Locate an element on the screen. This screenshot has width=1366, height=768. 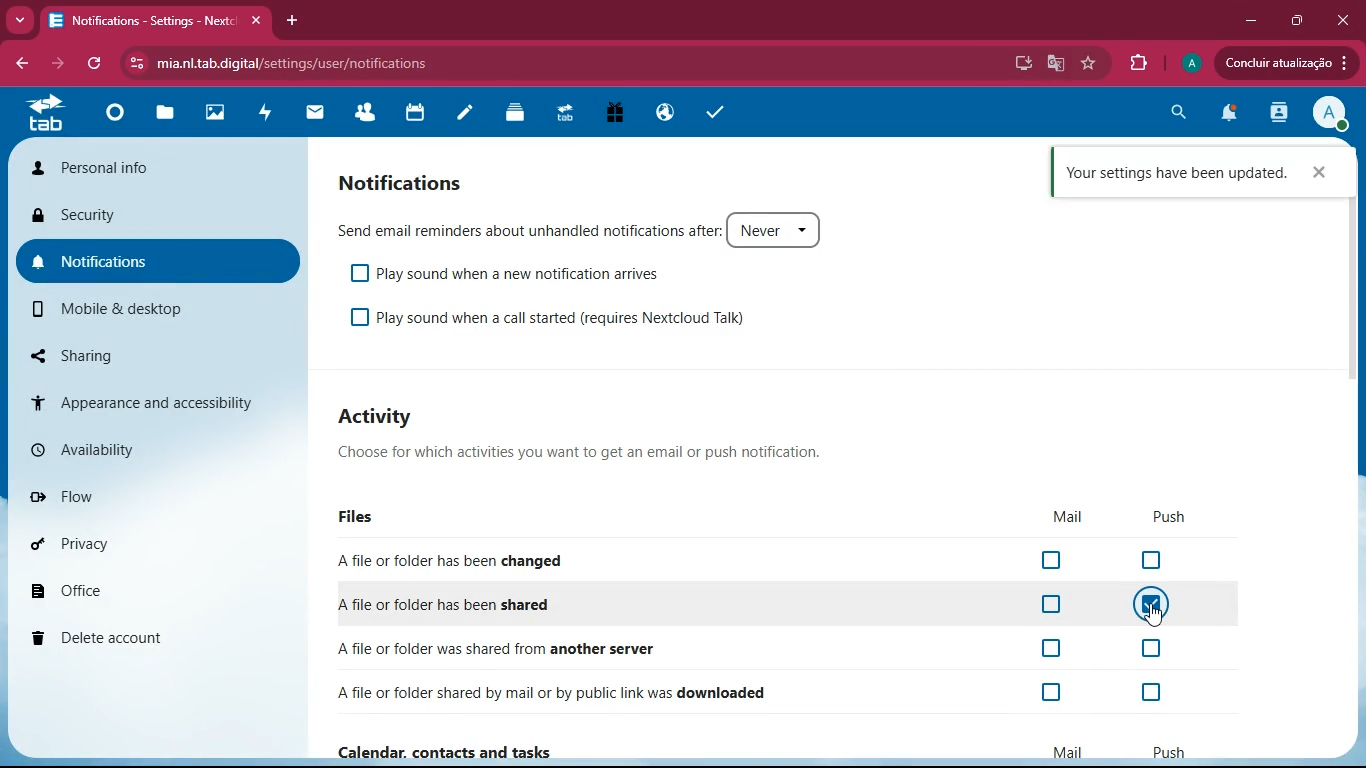
files is located at coordinates (364, 518).